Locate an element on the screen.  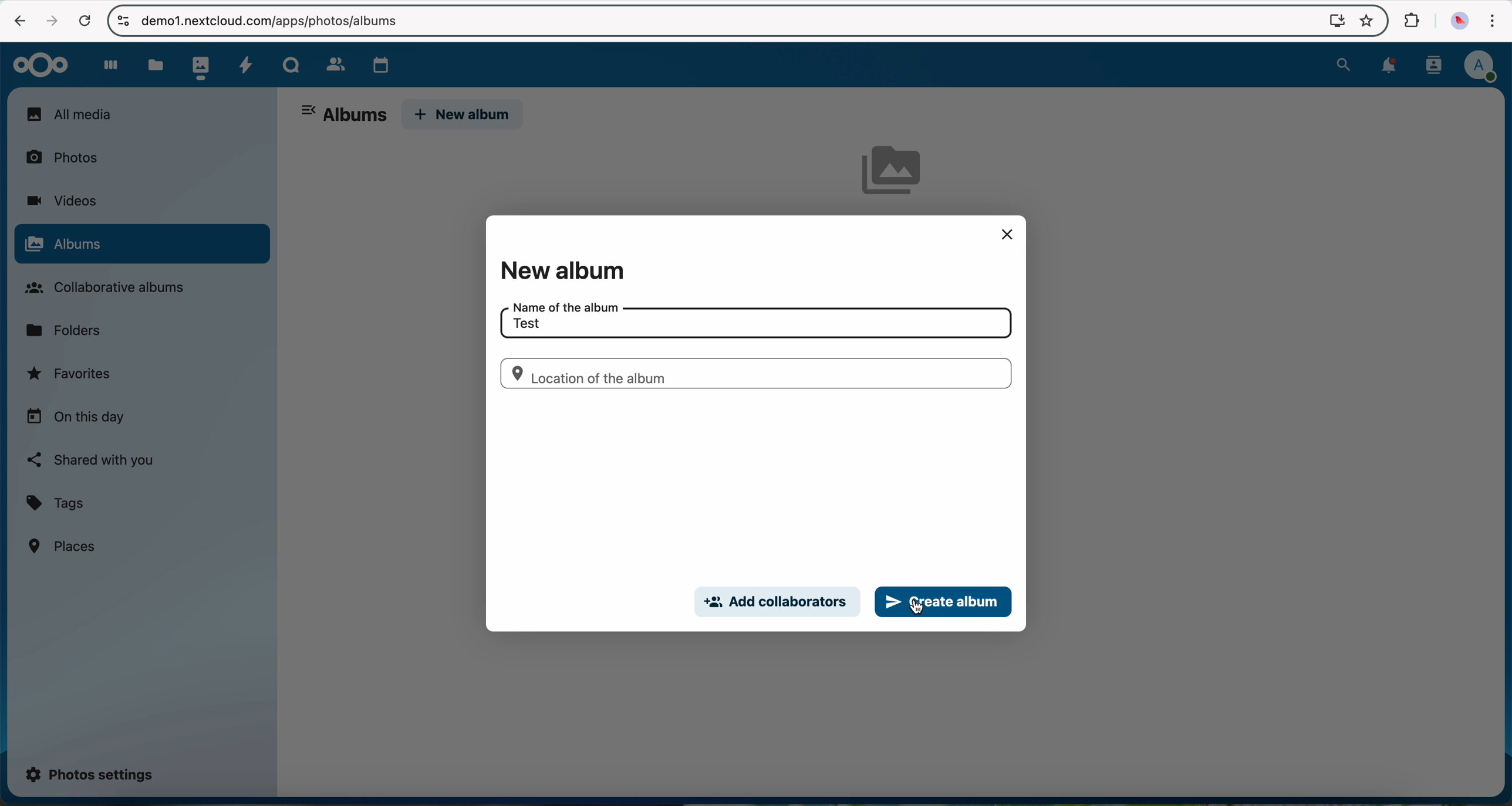
all media is located at coordinates (141, 114).